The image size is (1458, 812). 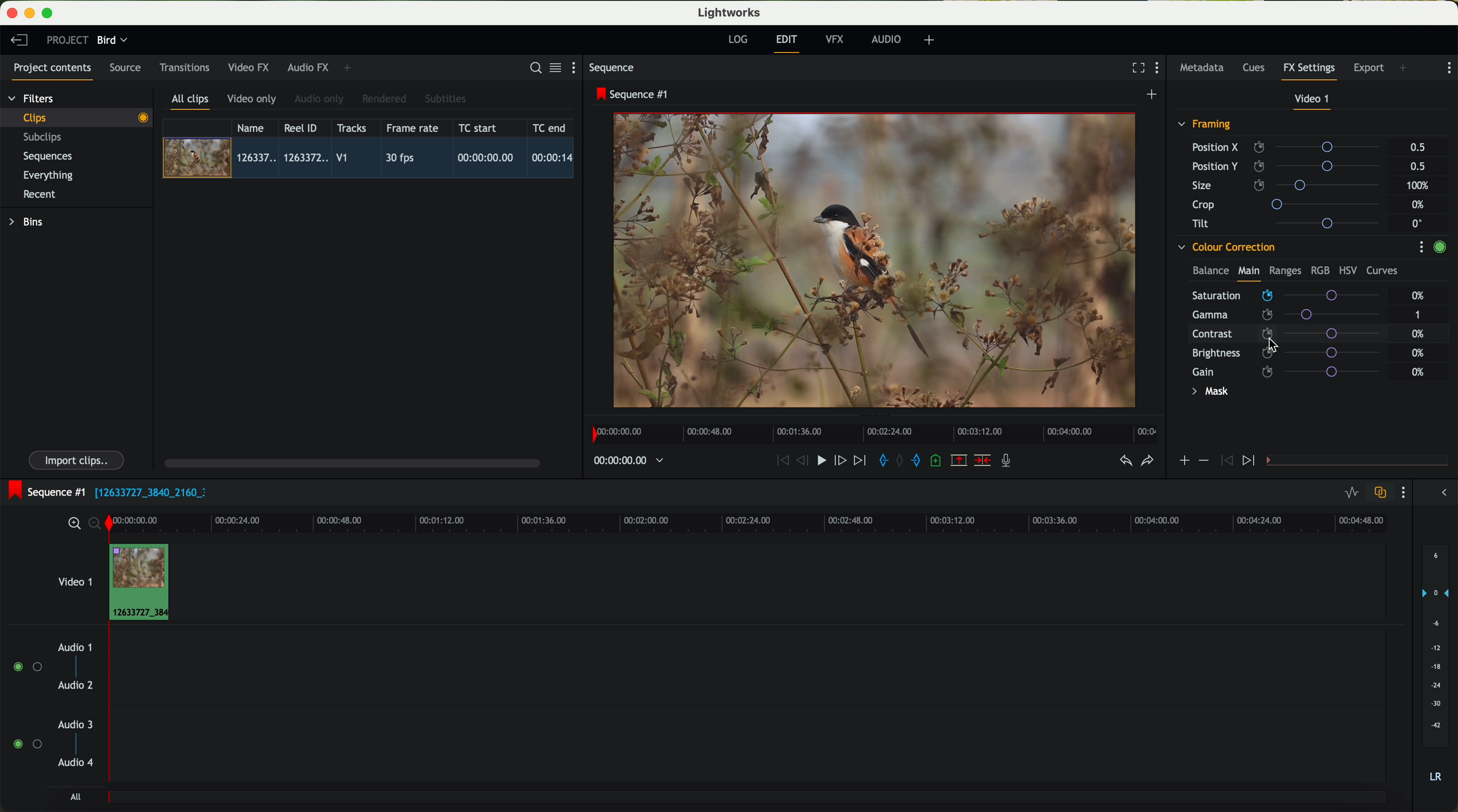 What do you see at coordinates (886, 39) in the screenshot?
I see `audio` at bounding box center [886, 39].